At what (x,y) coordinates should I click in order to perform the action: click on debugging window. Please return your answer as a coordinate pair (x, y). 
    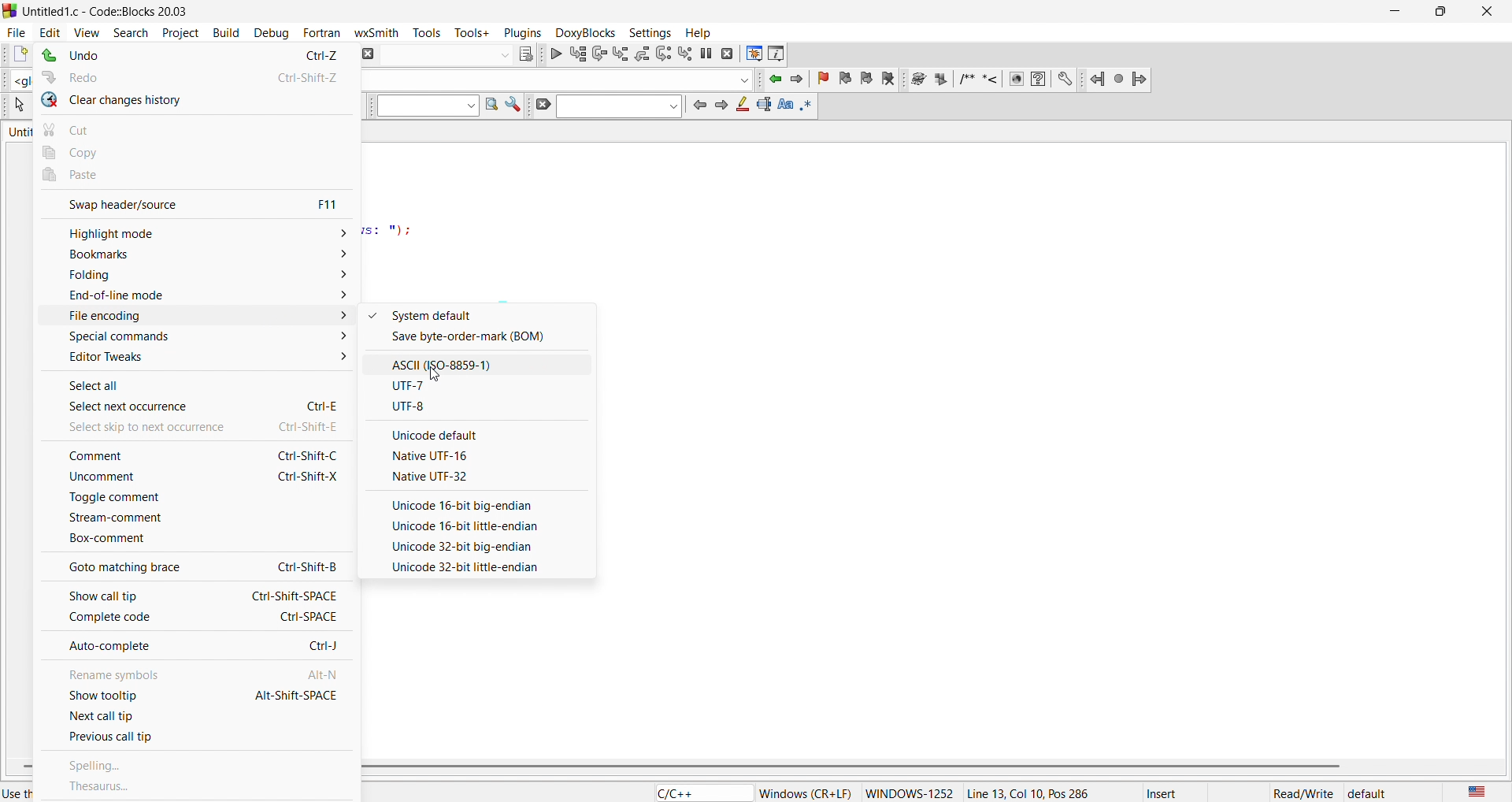
    Looking at the image, I should click on (751, 54).